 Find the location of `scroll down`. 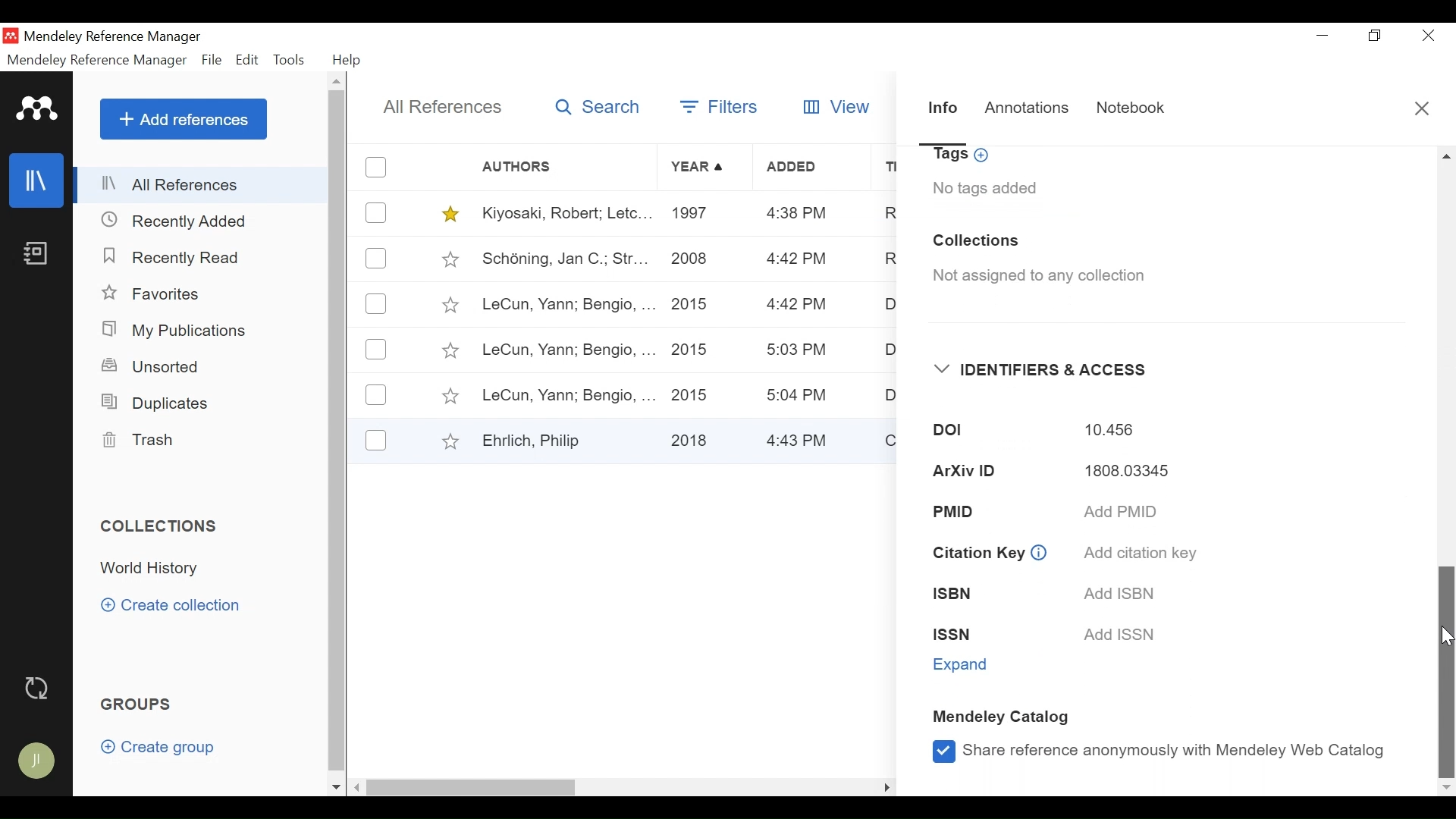

scroll down is located at coordinates (336, 788).